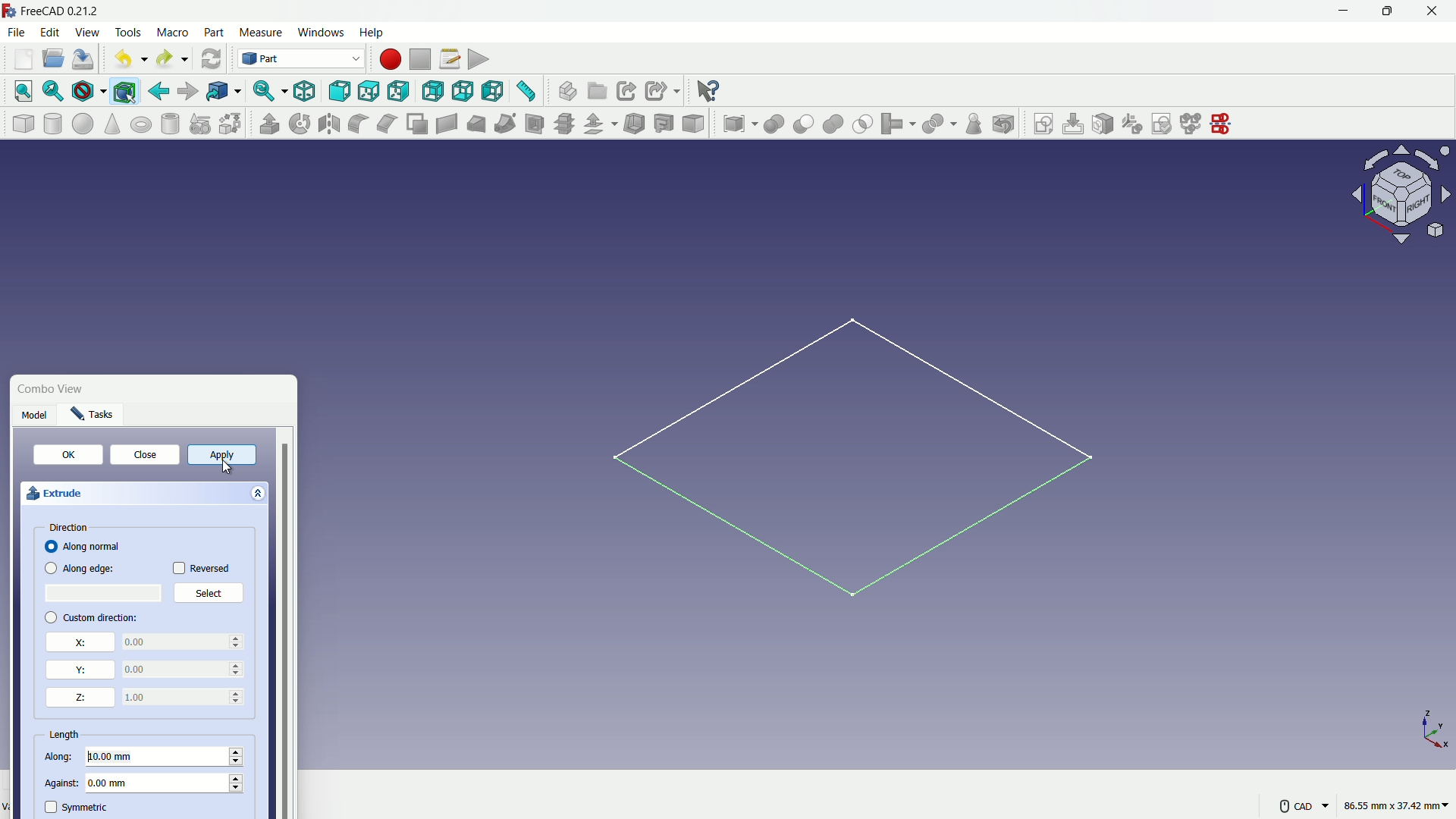  Describe the element at coordinates (391, 59) in the screenshot. I see `start macros` at that location.